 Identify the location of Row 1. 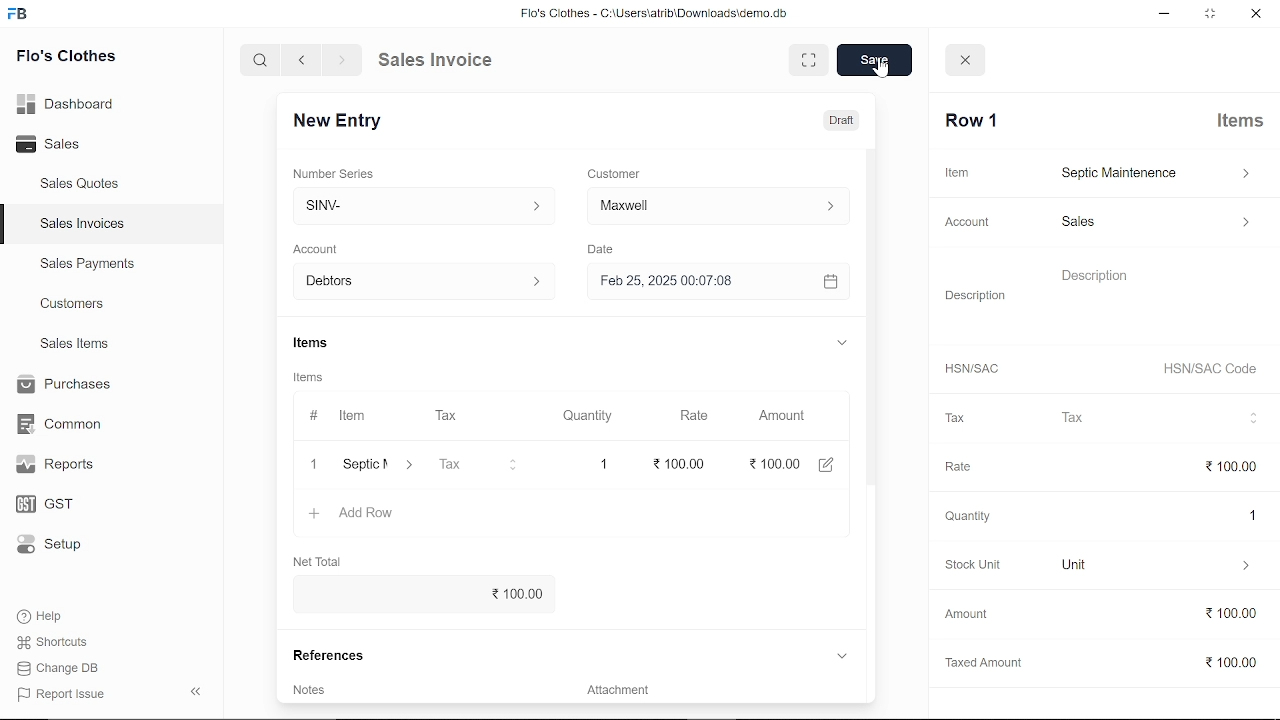
(973, 121).